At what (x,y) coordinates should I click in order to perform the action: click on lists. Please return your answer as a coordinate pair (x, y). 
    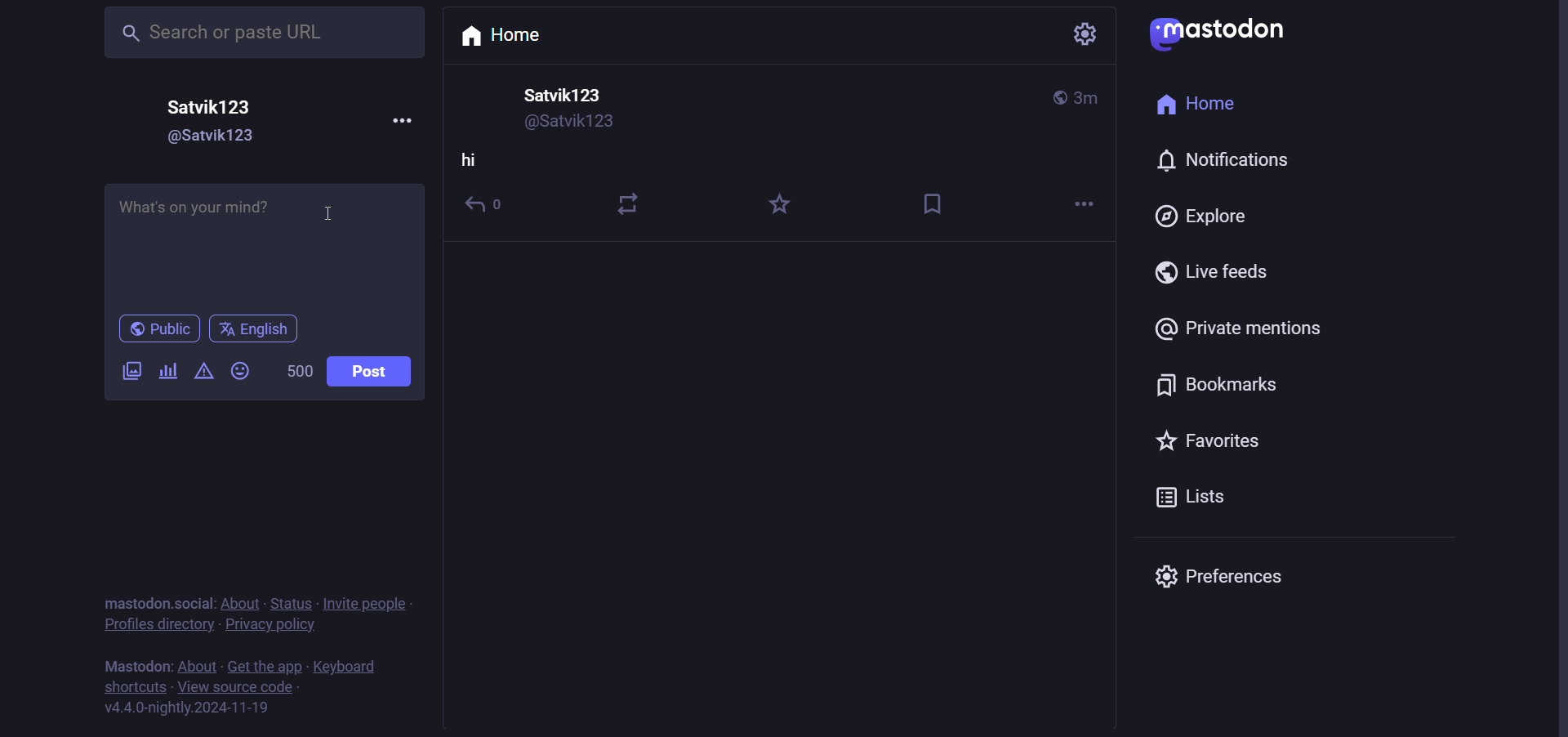
    Looking at the image, I should click on (1187, 501).